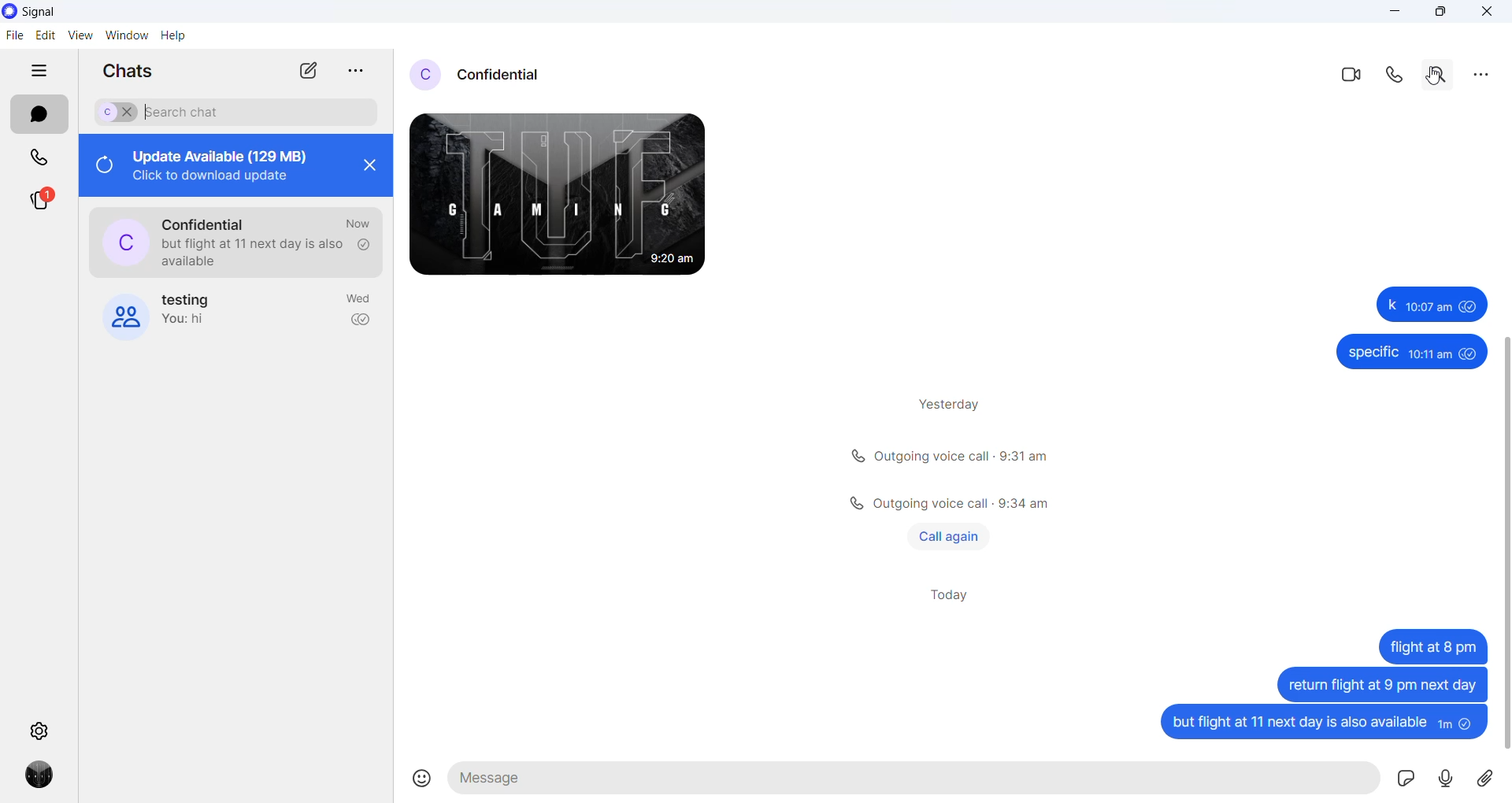  What do you see at coordinates (1492, 781) in the screenshot?
I see `share attachment` at bounding box center [1492, 781].